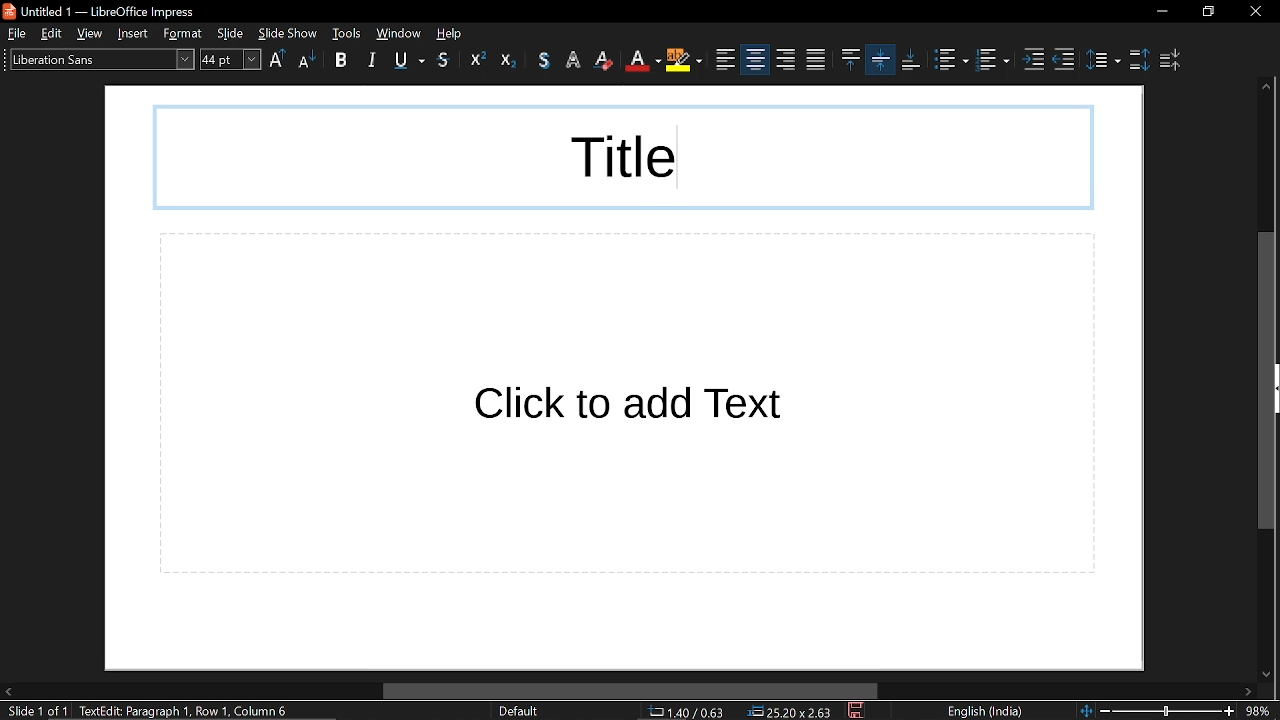 This screenshot has width=1280, height=720. I want to click on underline, so click(409, 60).